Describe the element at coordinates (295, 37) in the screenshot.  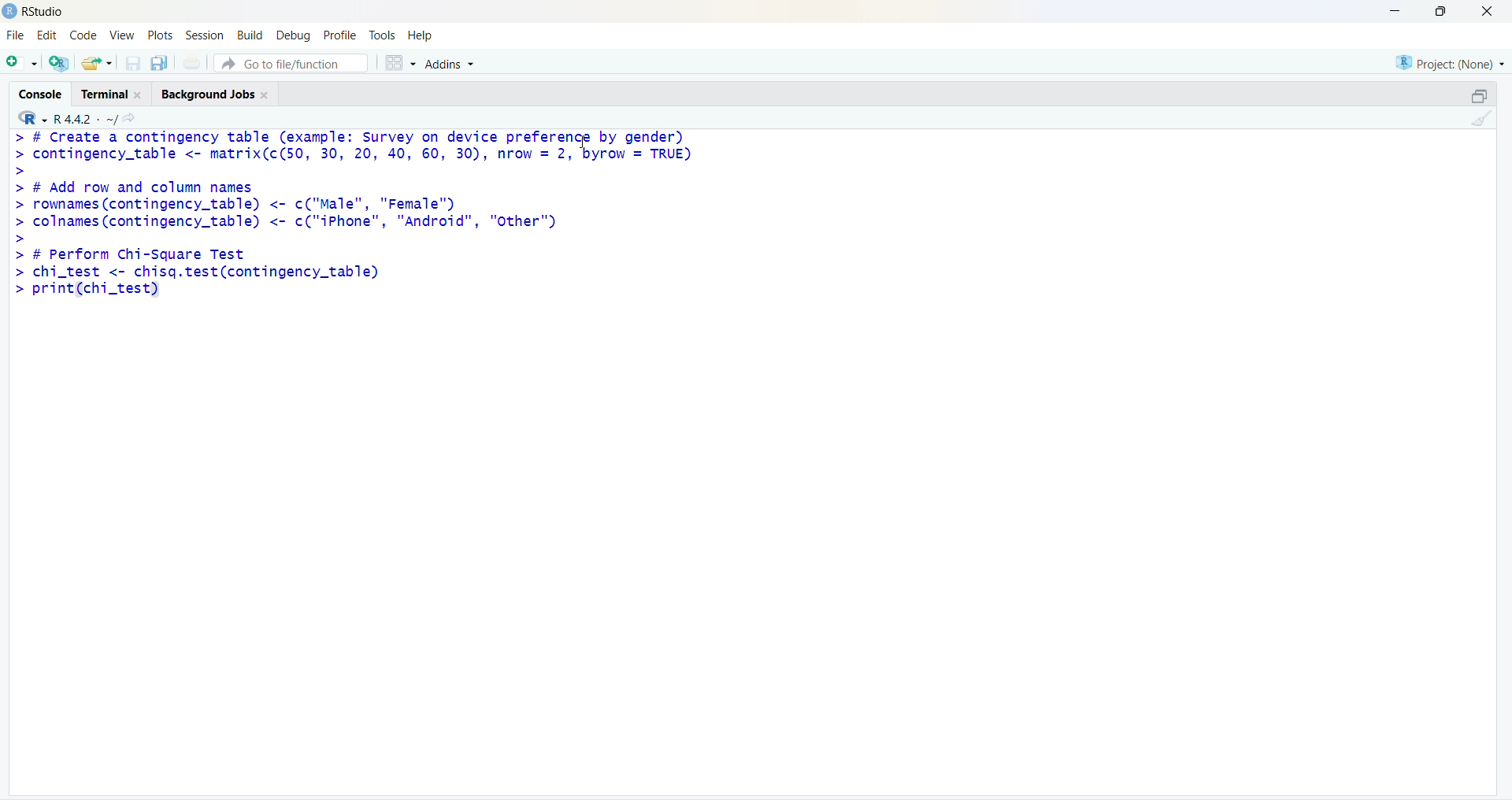
I see `Debug` at that location.